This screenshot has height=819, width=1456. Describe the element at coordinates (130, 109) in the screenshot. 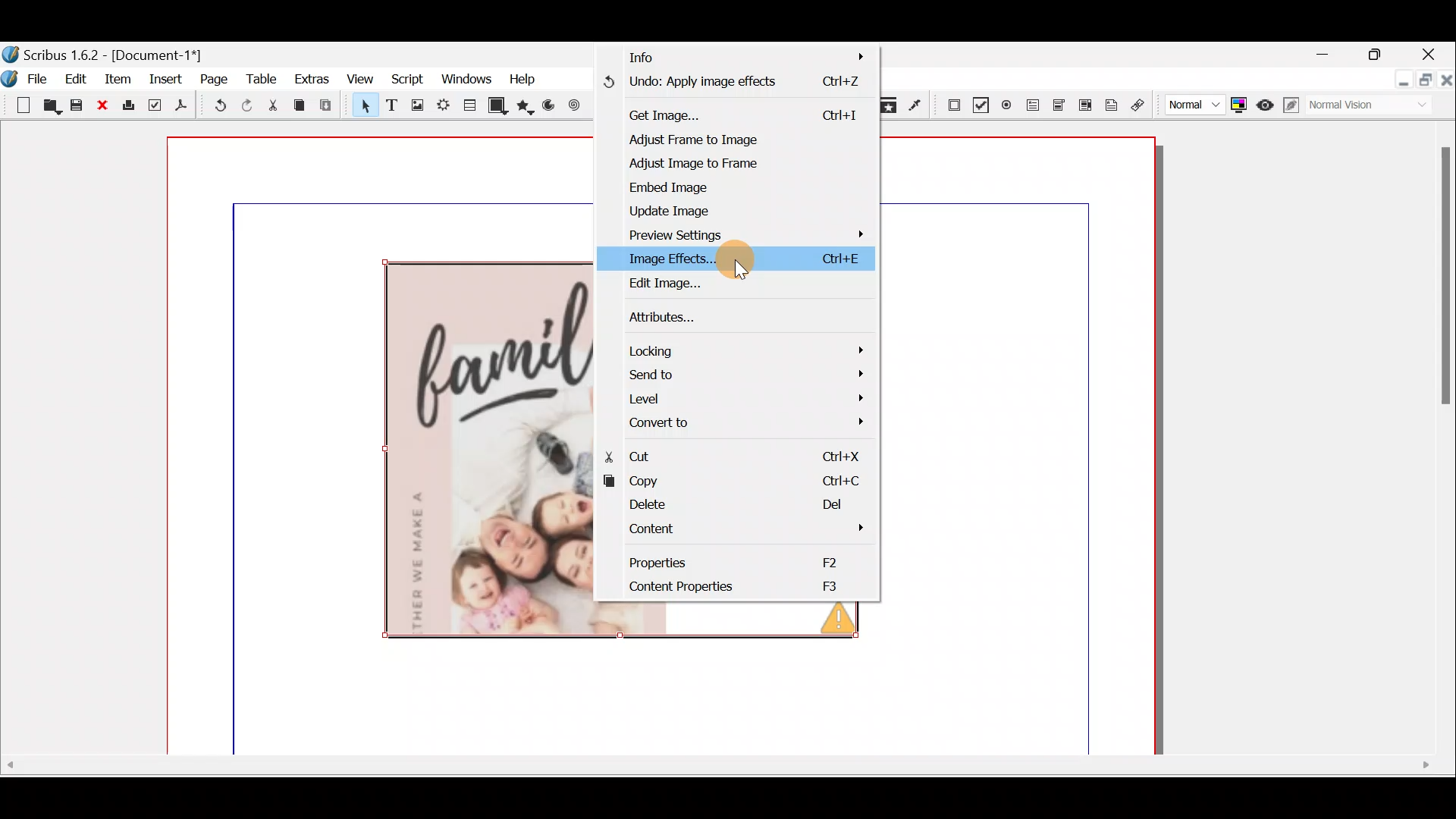

I see `Print` at that location.